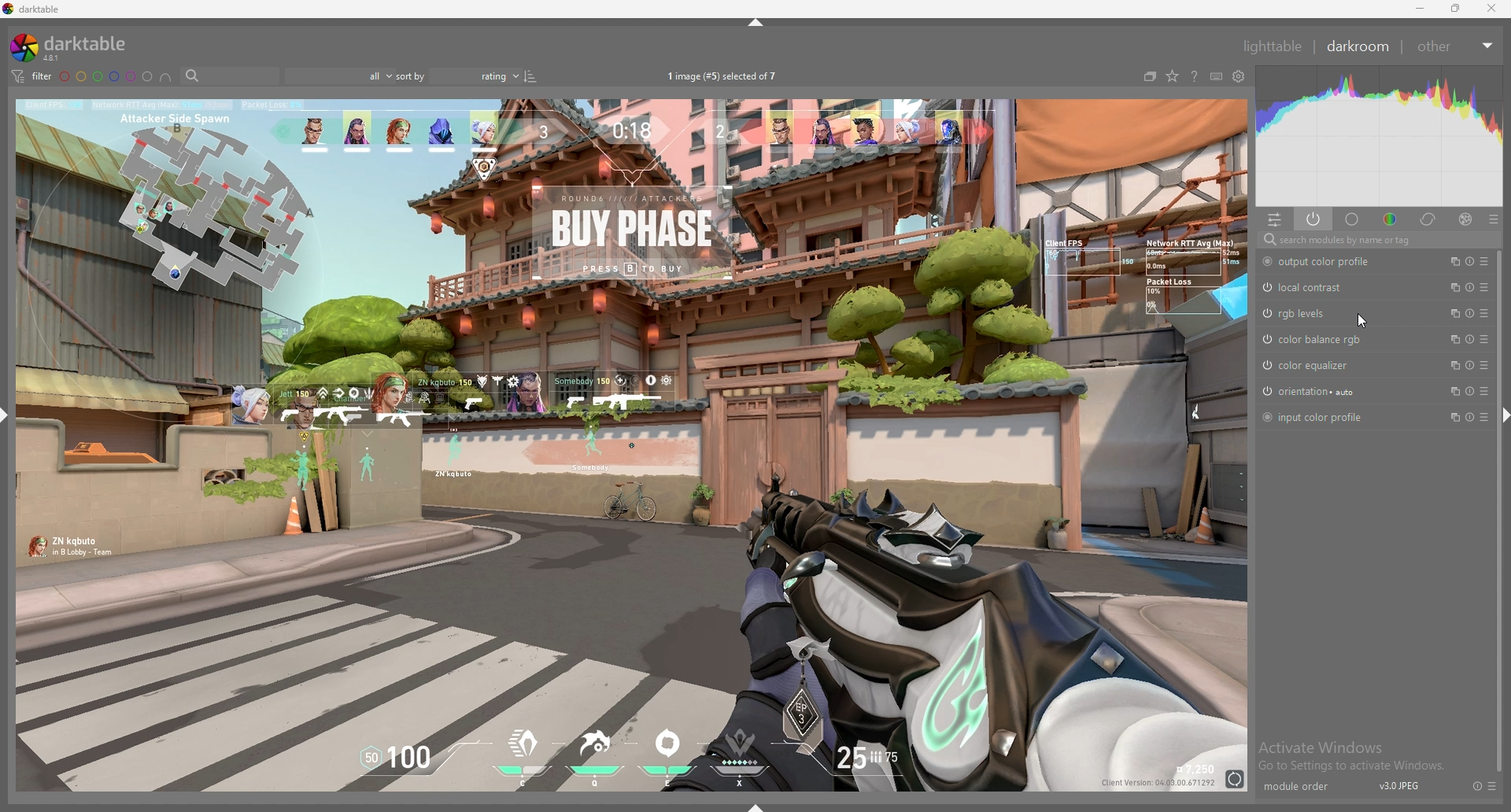 The height and width of the screenshot is (812, 1511). I want to click on help, so click(1195, 76).